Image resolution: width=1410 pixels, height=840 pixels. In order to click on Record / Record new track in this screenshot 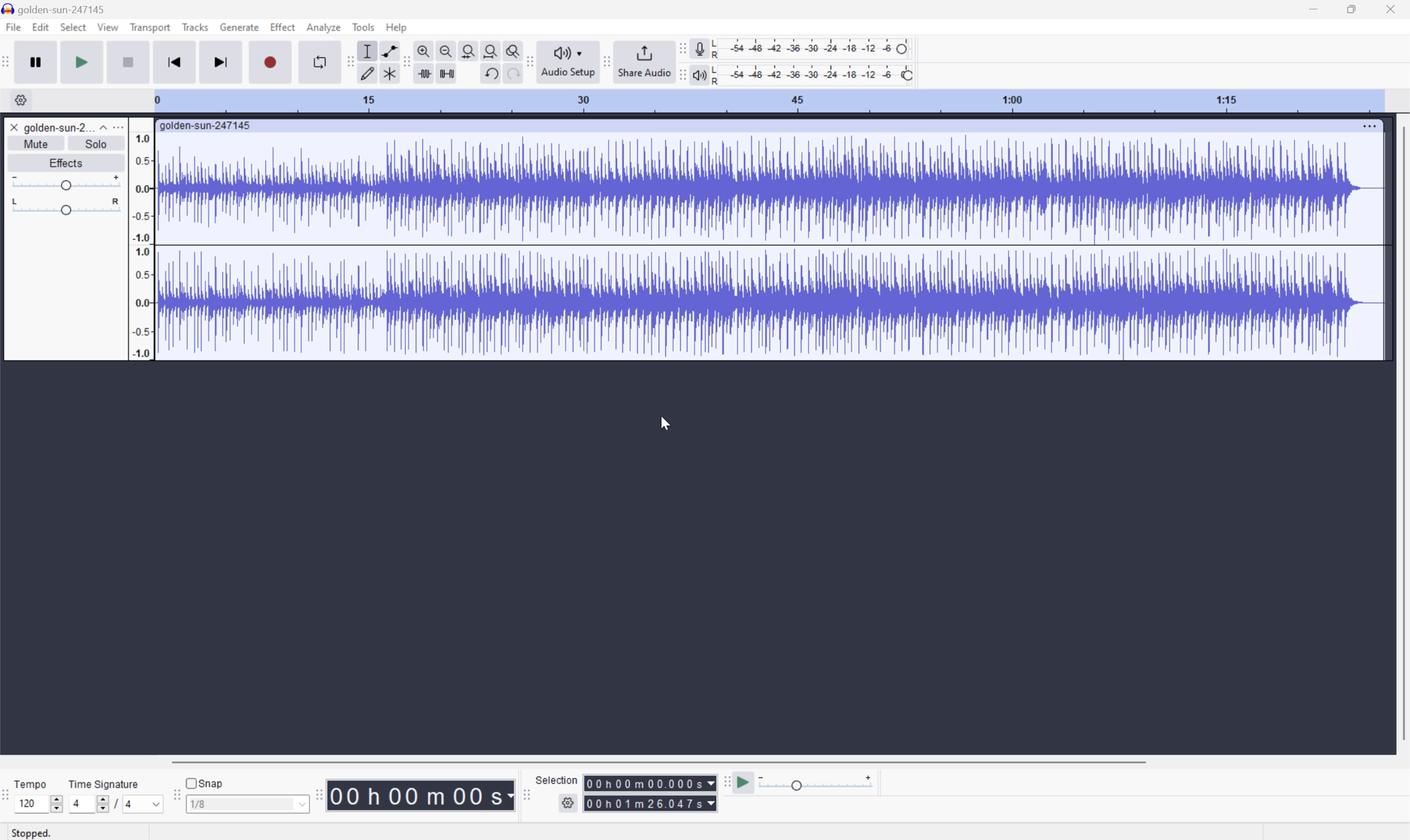, I will do `click(270, 62)`.